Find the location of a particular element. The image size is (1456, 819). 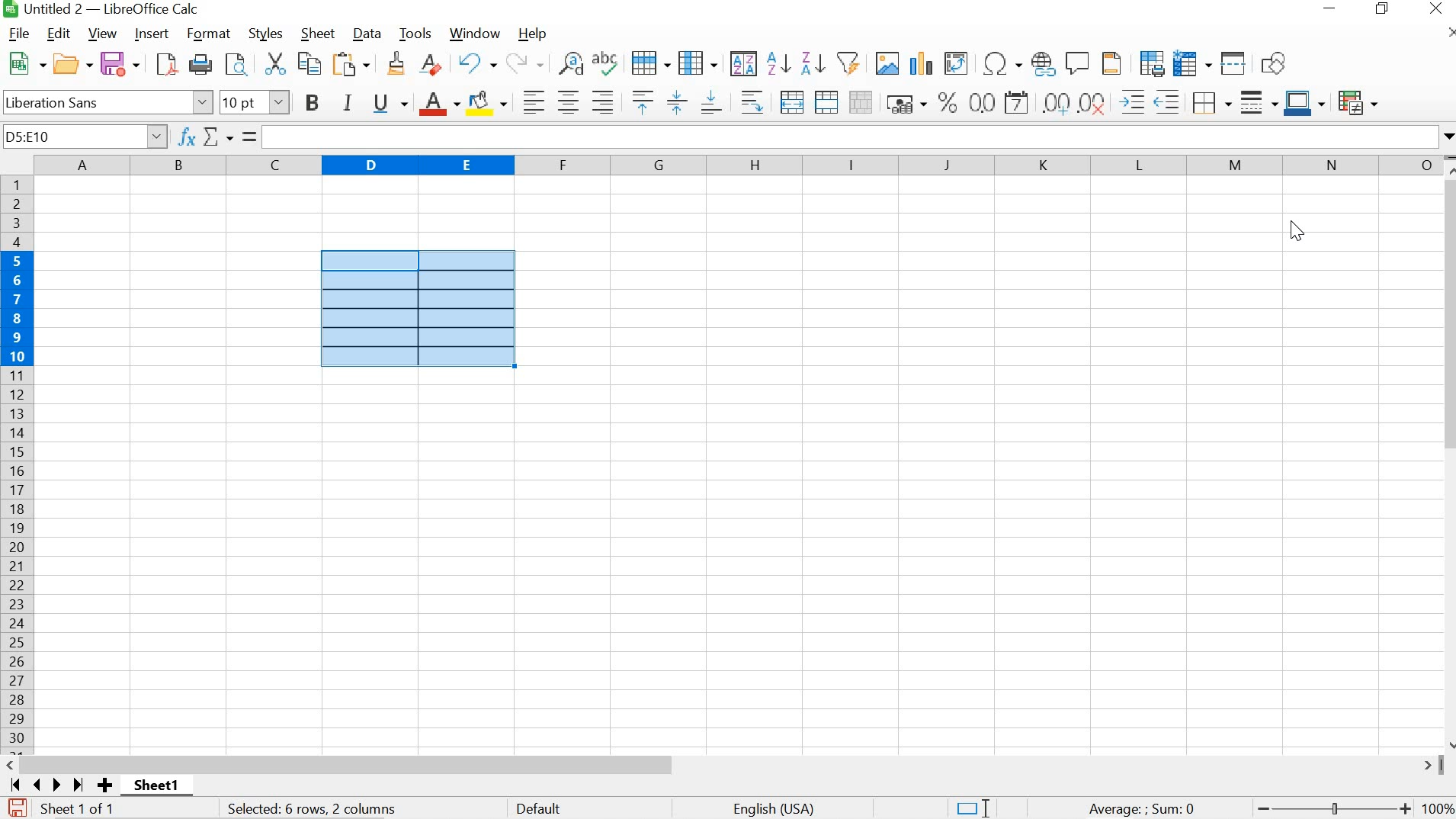

WINDOW is located at coordinates (474, 34).